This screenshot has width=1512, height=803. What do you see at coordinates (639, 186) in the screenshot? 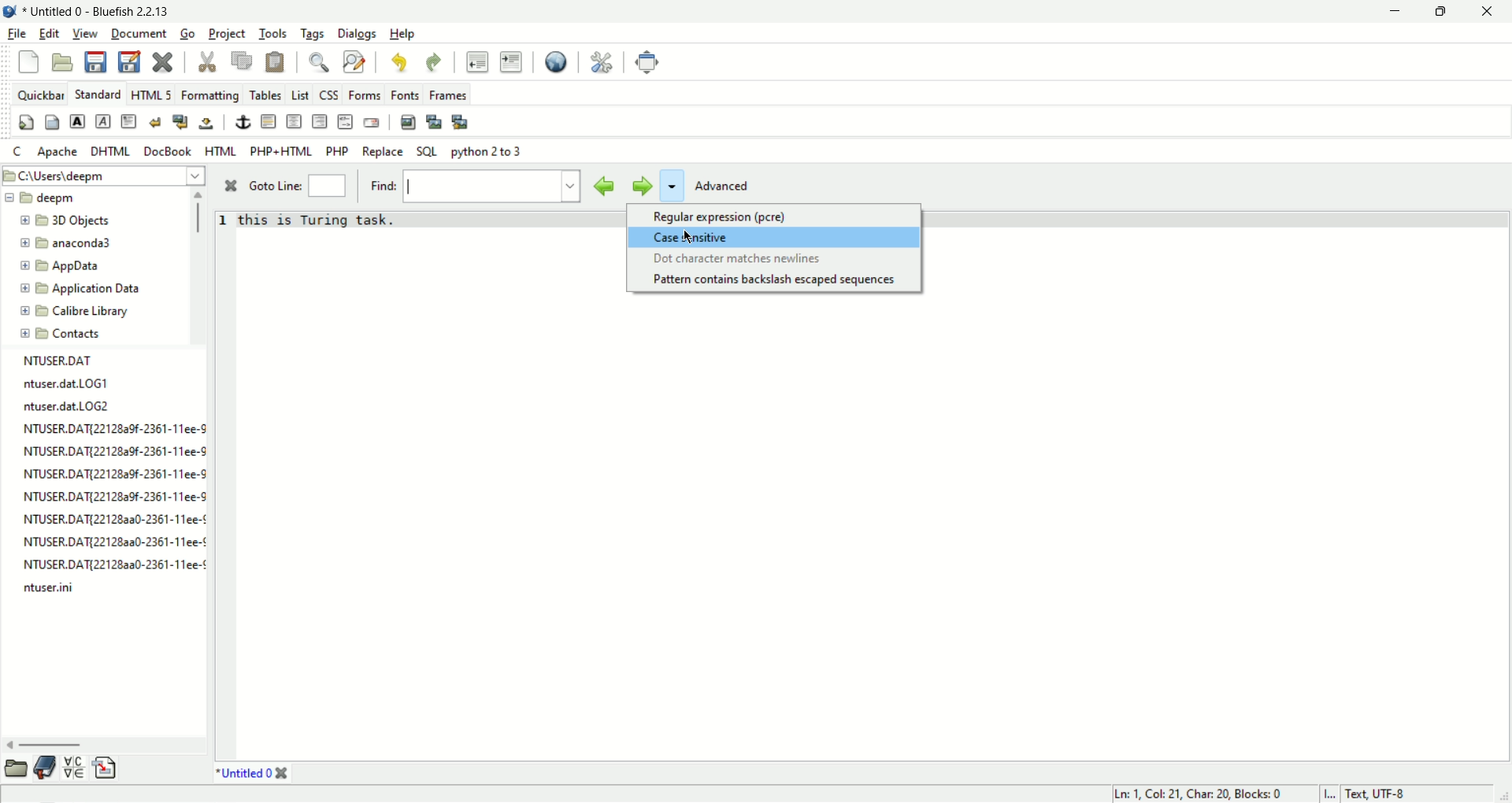
I see `find next` at bounding box center [639, 186].